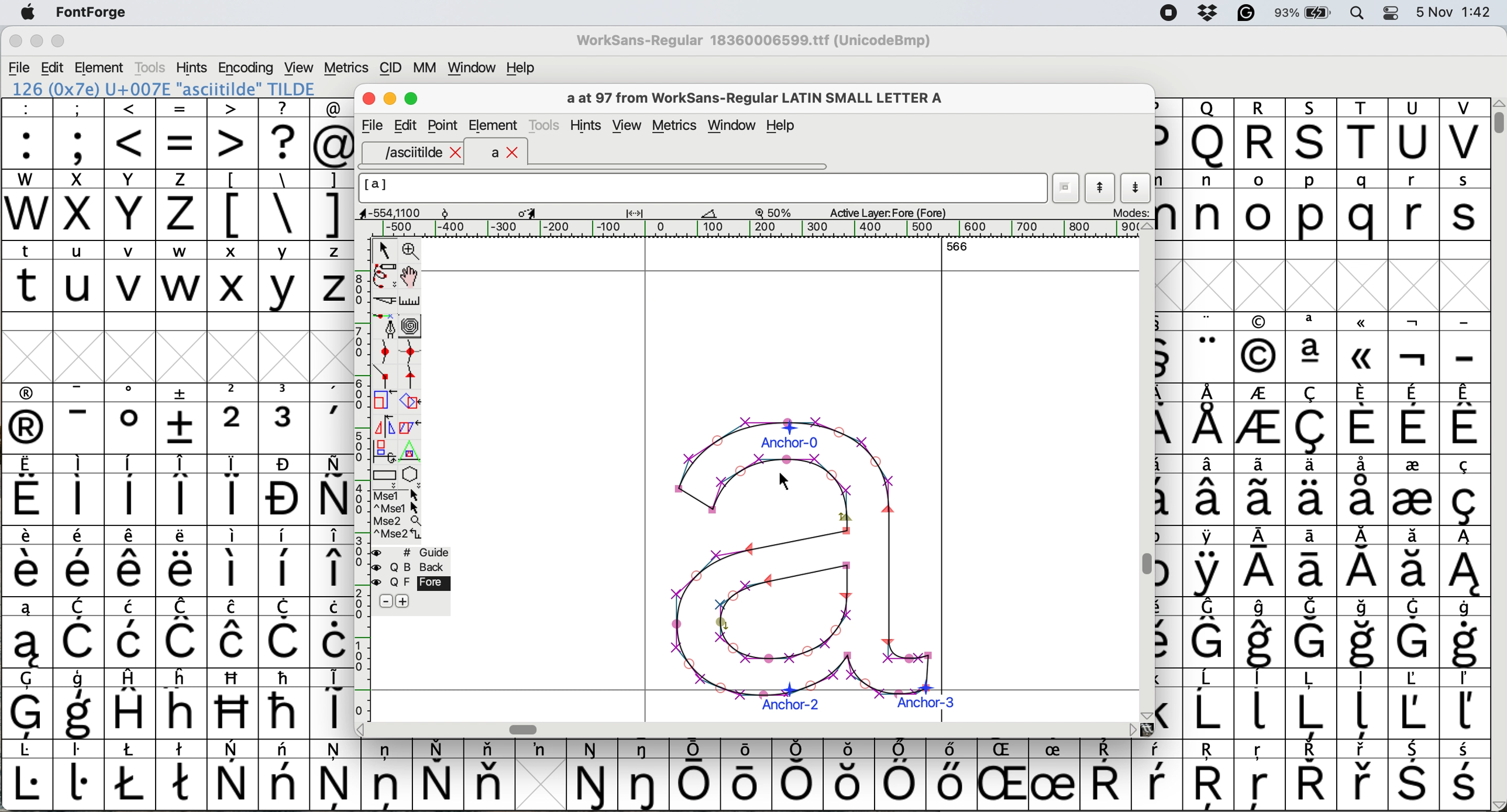 This screenshot has height=812, width=1507. Describe the element at coordinates (233, 205) in the screenshot. I see `[` at that location.